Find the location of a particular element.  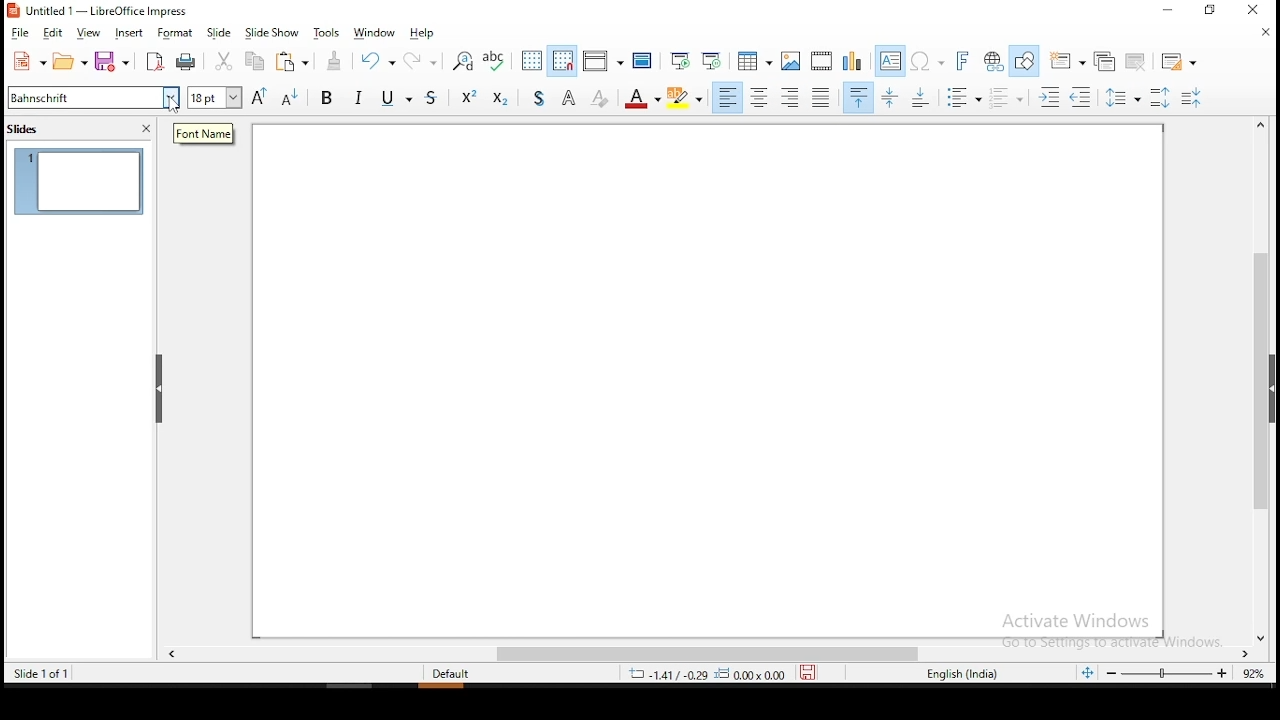

help is located at coordinates (423, 34).